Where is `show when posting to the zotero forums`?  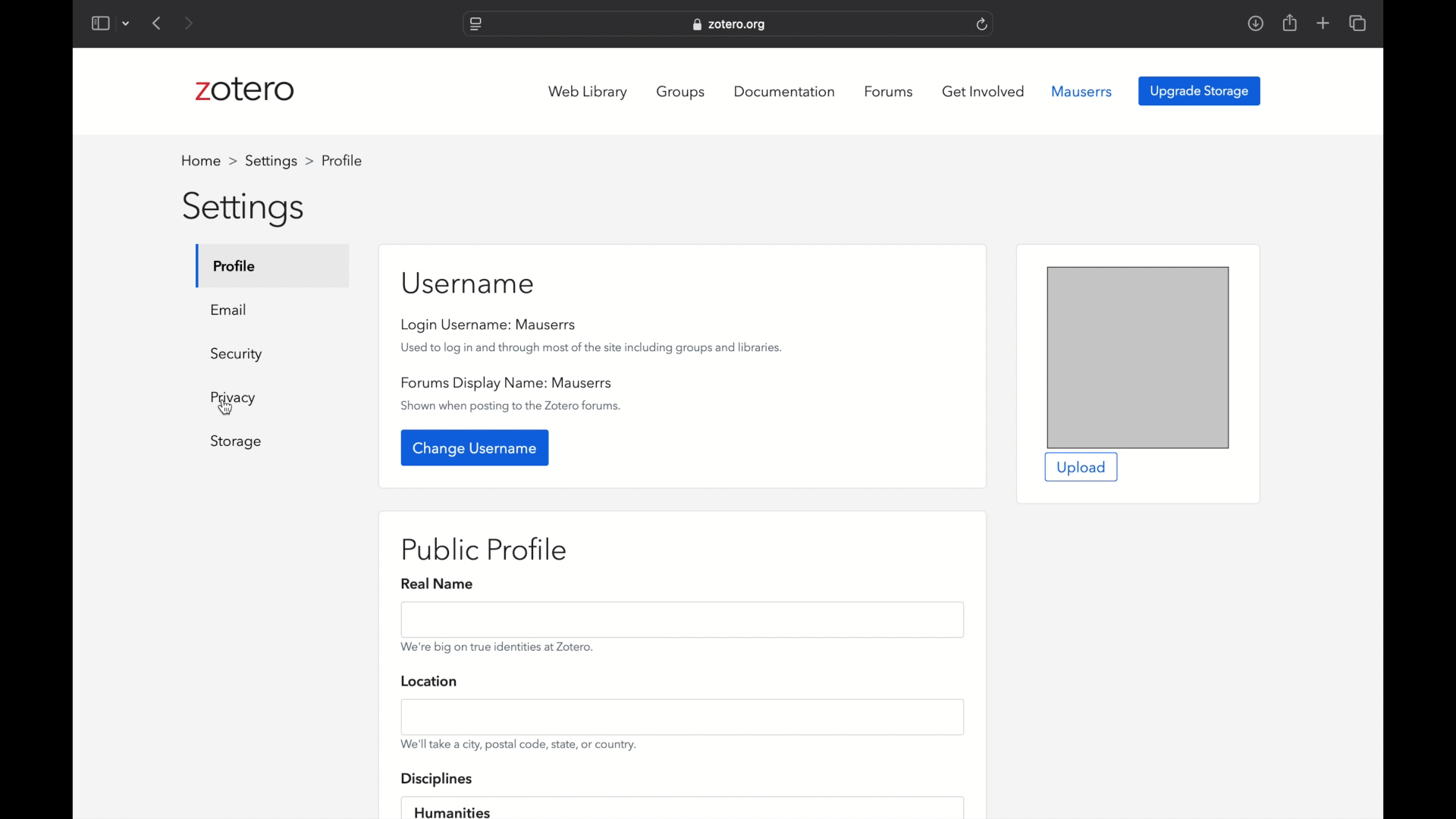 show when posting to the zotero forums is located at coordinates (513, 406).